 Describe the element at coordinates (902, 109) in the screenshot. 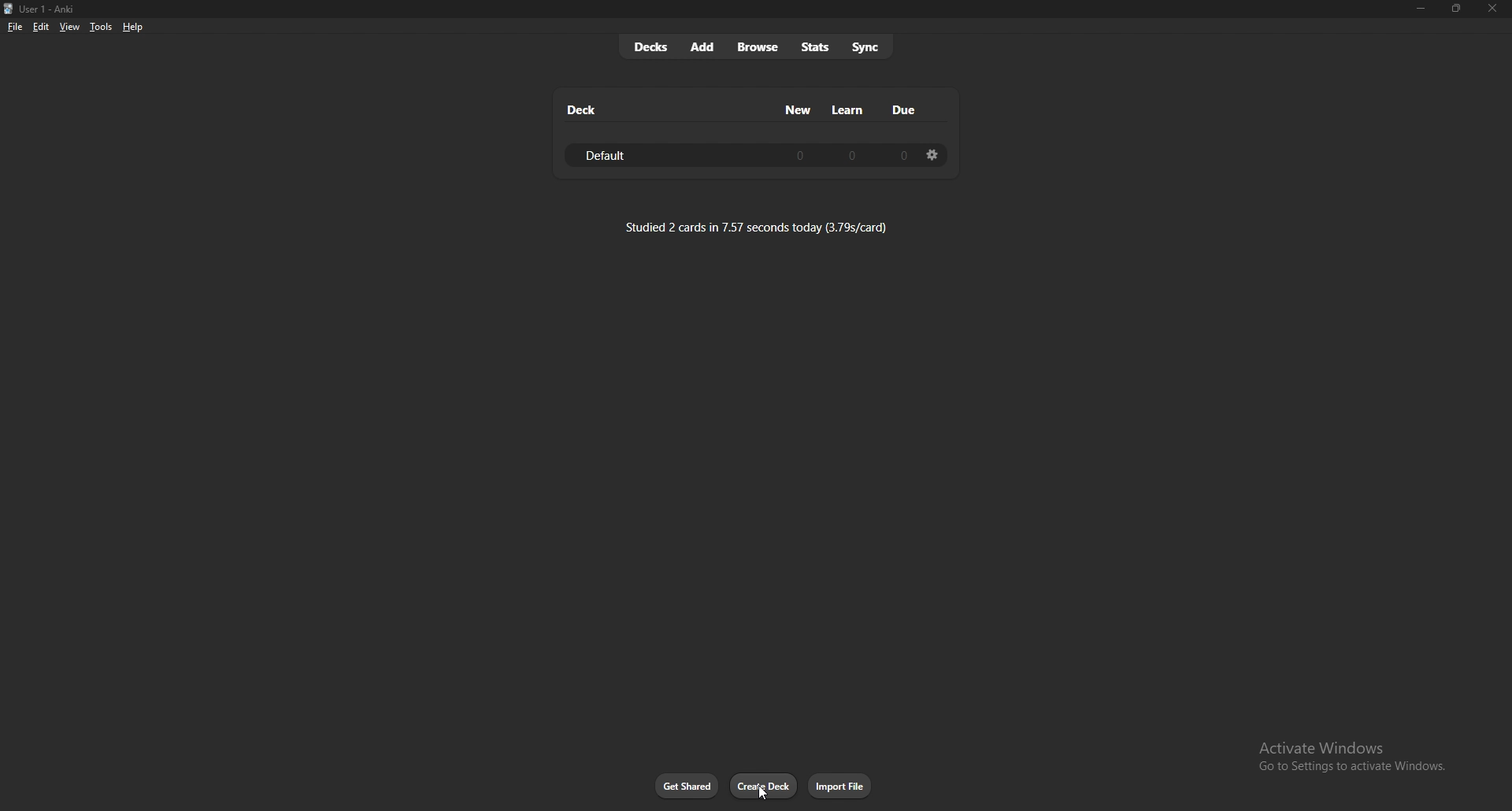

I see `due` at that location.